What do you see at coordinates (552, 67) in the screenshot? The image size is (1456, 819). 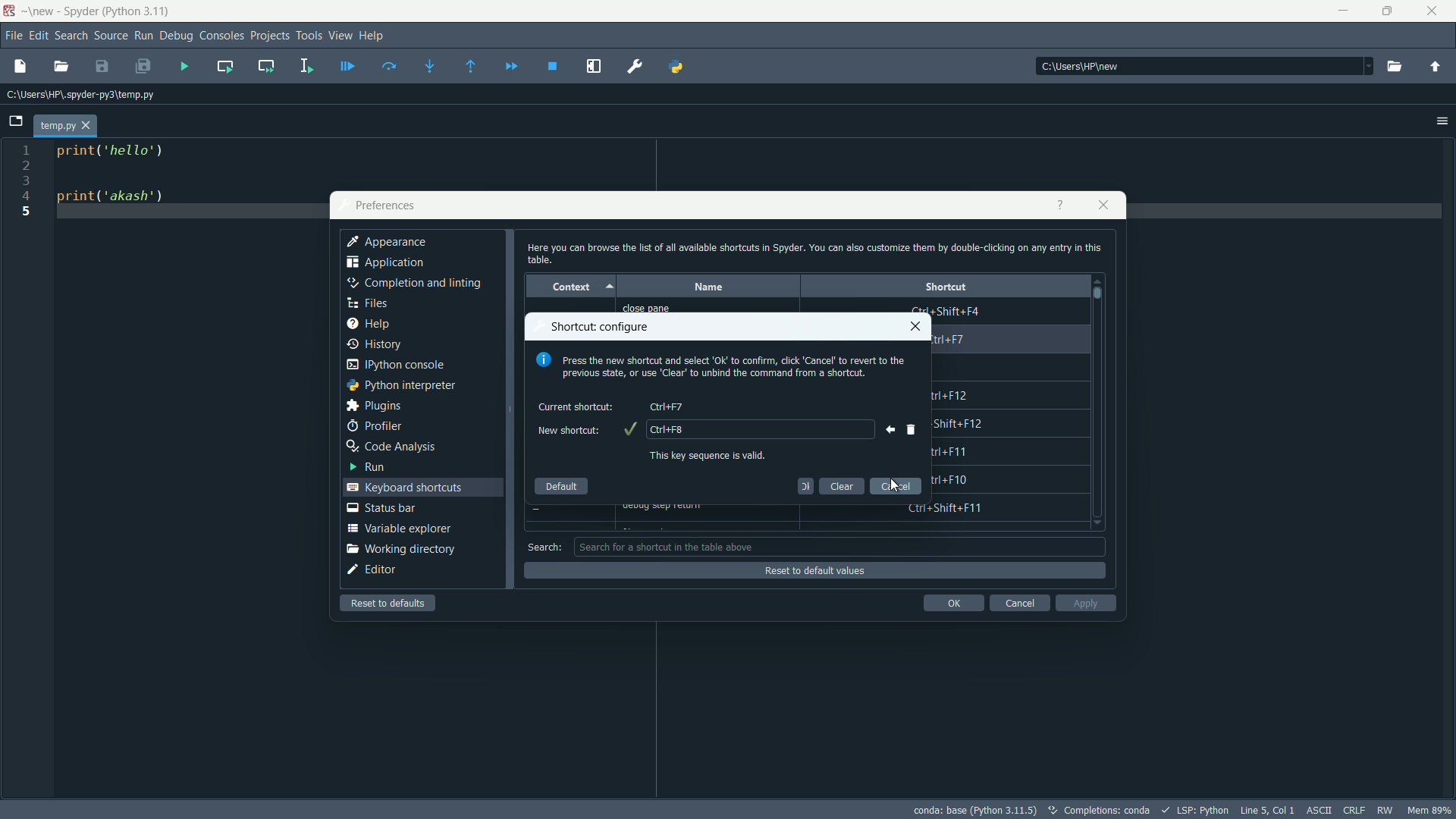 I see `stop debugging` at bounding box center [552, 67].